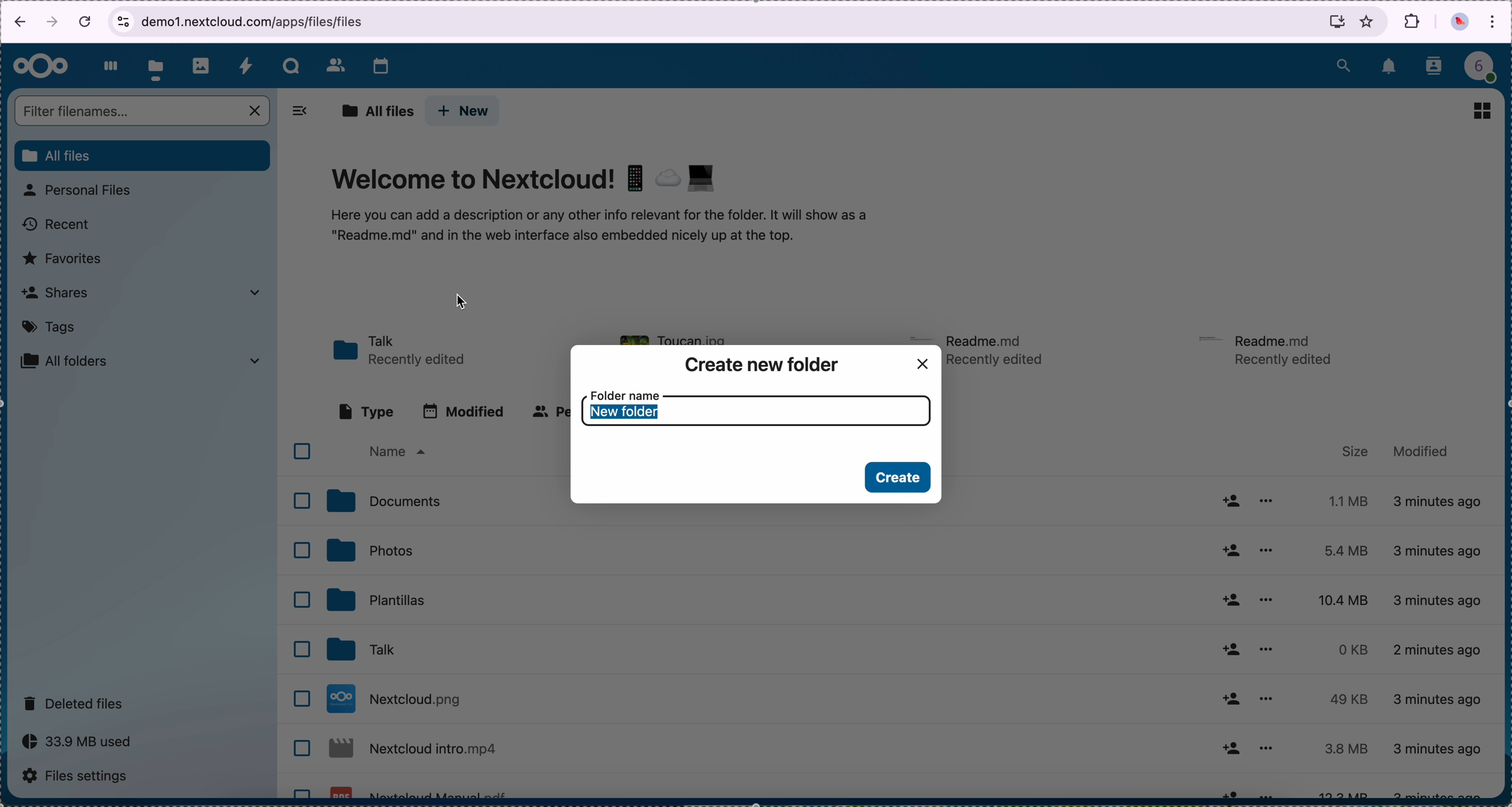 This screenshot has height=807, width=1512. What do you see at coordinates (369, 550) in the screenshot?
I see `photos` at bounding box center [369, 550].